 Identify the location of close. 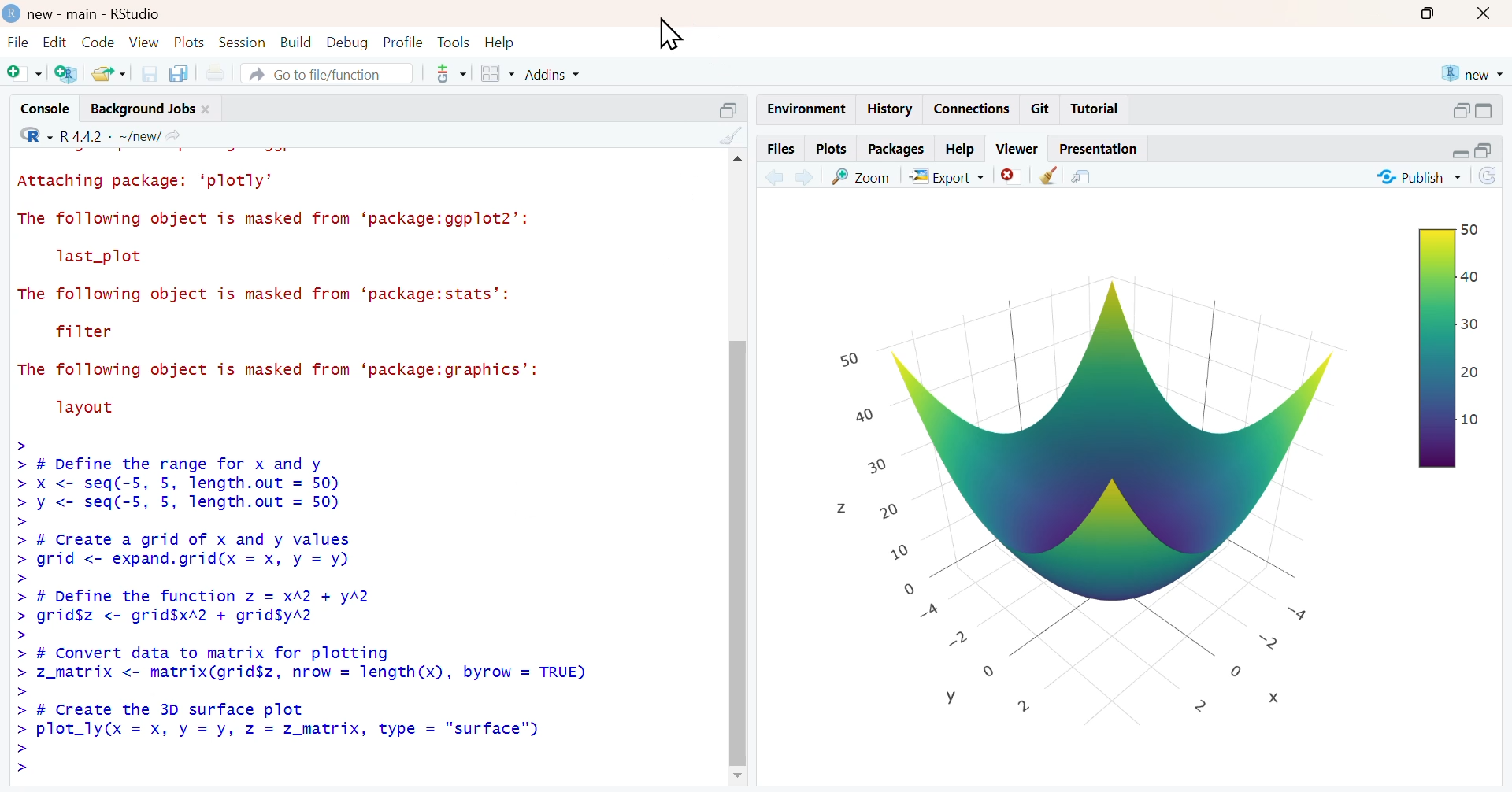
(1488, 13).